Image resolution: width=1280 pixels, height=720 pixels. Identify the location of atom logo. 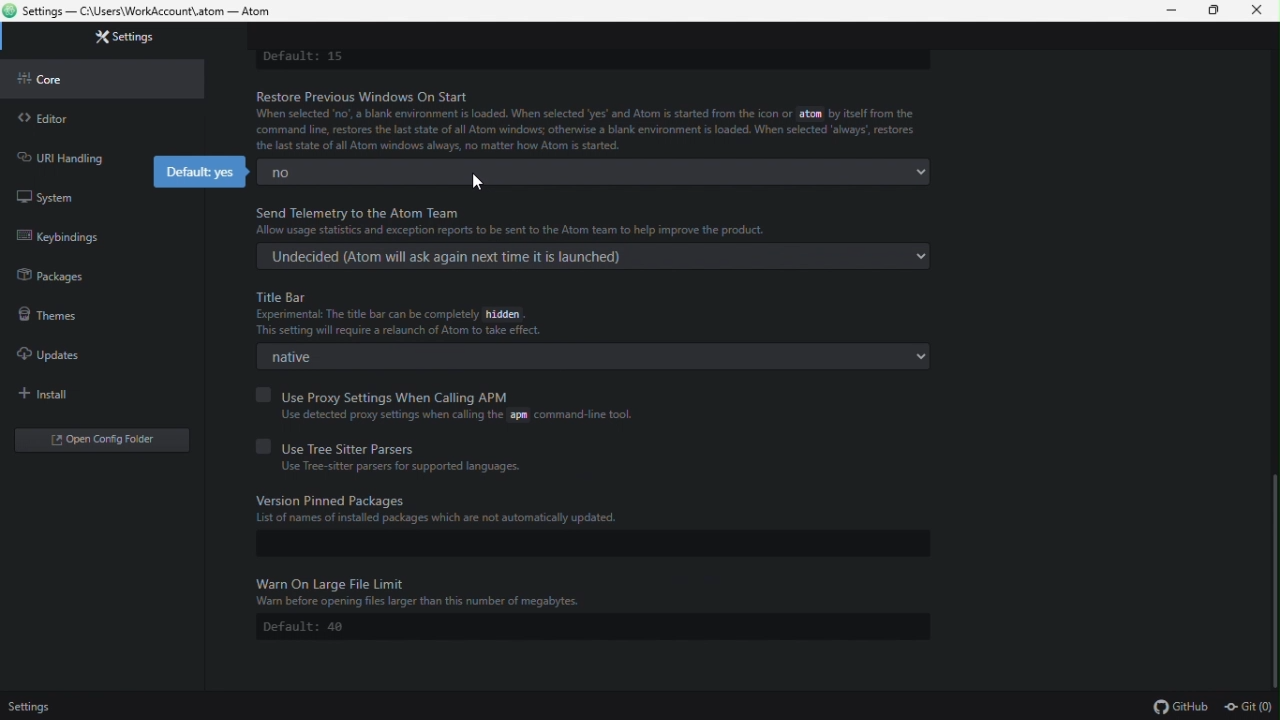
(12, 11).